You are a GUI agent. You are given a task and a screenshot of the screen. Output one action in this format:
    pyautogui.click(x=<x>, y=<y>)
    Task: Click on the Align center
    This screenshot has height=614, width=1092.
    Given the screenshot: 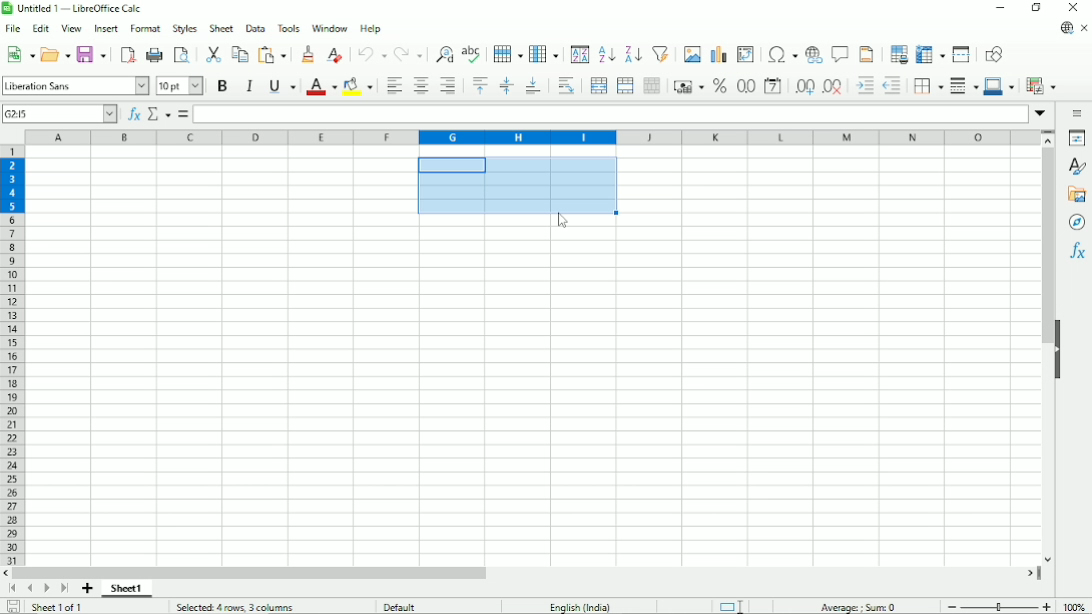 What is the action you would take?
    pyautogui.click(x=420, y=87)
    